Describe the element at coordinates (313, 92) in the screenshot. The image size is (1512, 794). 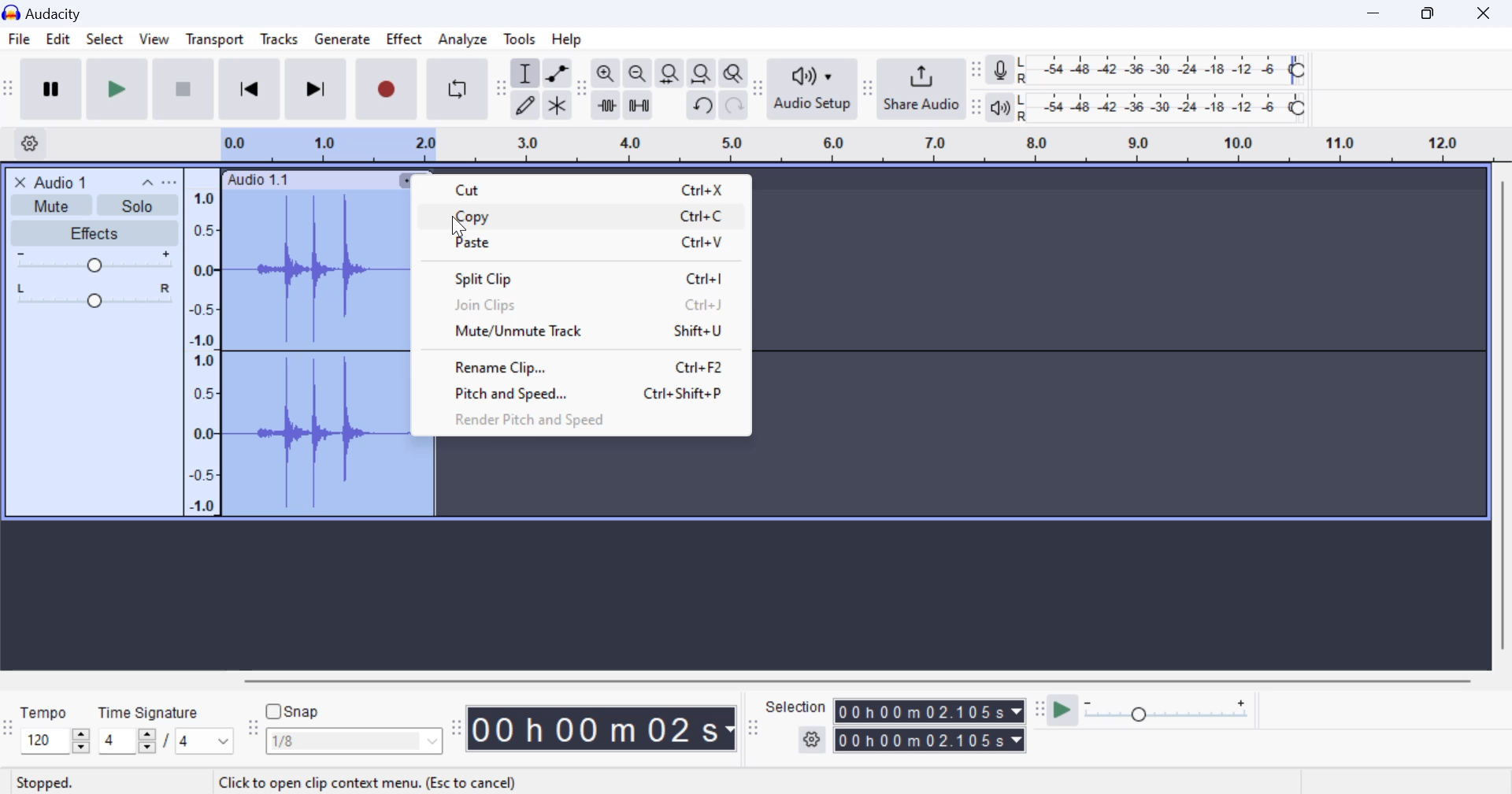
I see `Skip To End` at that location.